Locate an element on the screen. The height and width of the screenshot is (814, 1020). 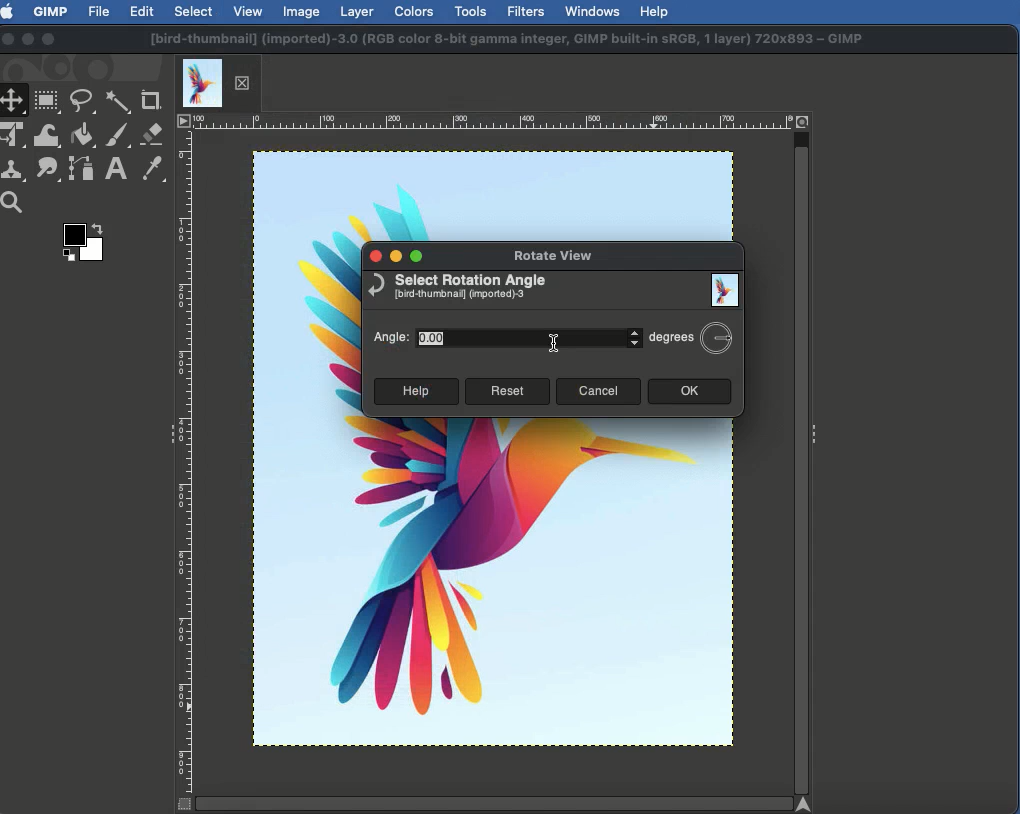
horizontal Ruler is located at coordinates (492, 121).